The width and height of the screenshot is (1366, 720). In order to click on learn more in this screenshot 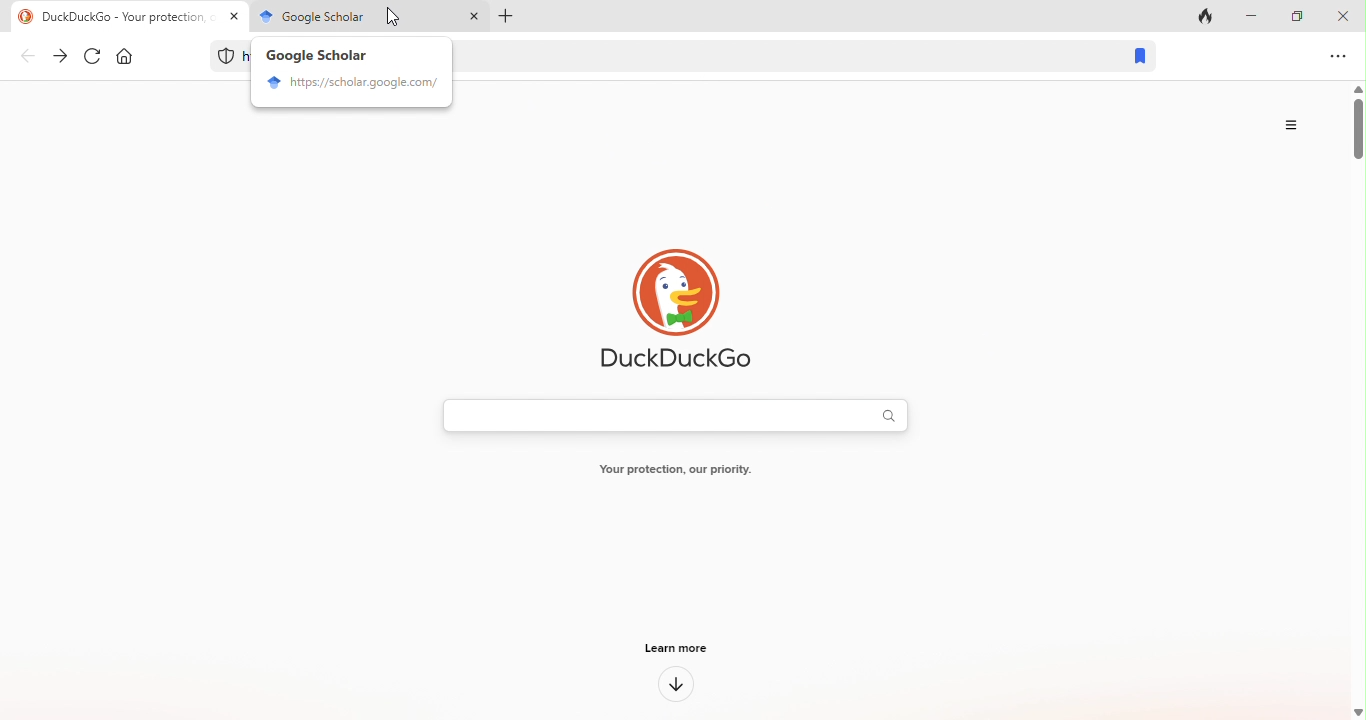, I will do `click(678, 684)`.